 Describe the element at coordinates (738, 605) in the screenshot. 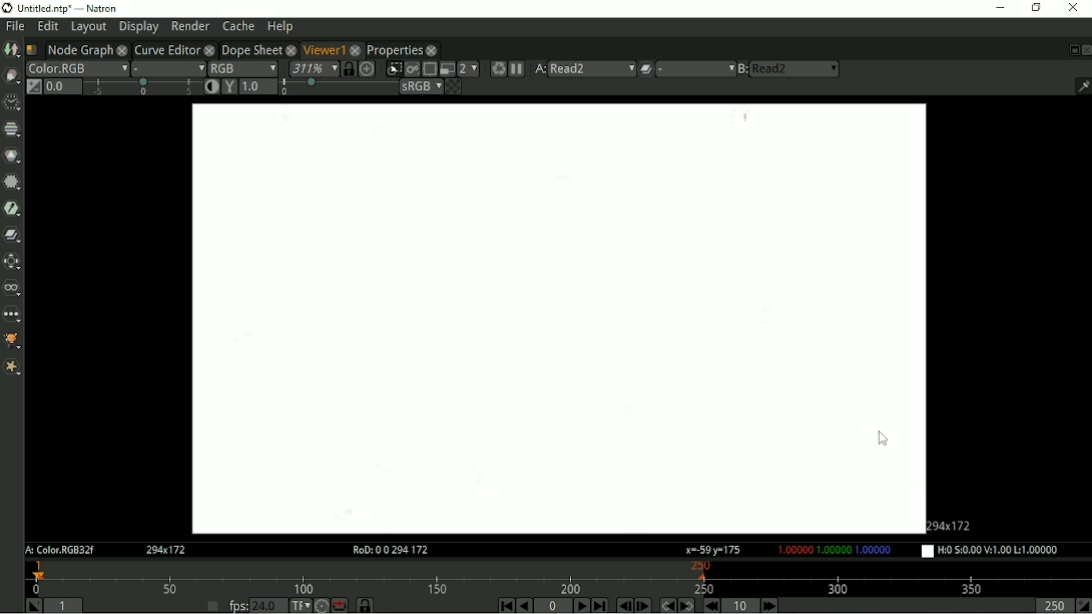

I see `Frame Increment` at that location.